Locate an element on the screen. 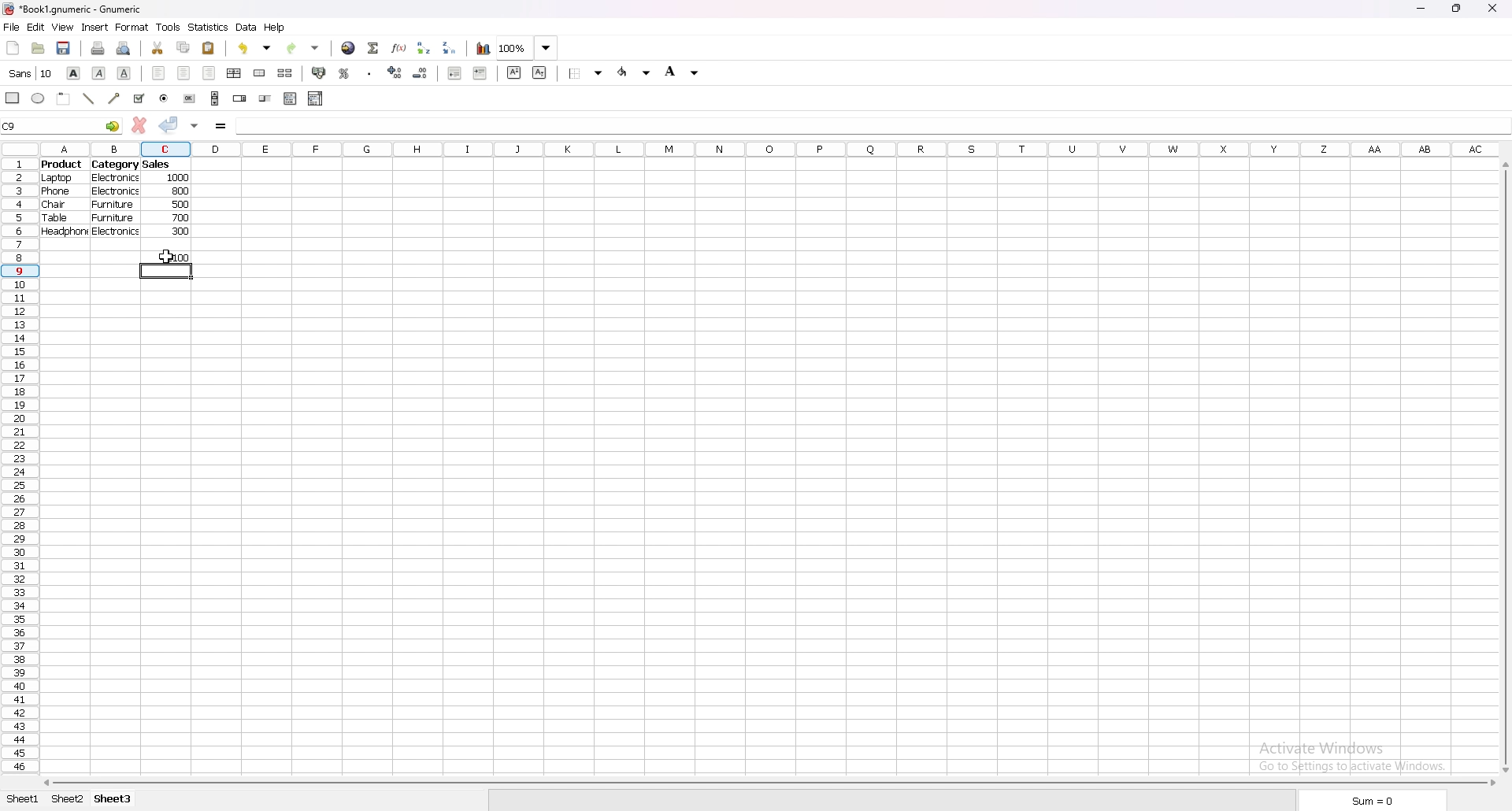  headphone is located at coordinates (65, 232).